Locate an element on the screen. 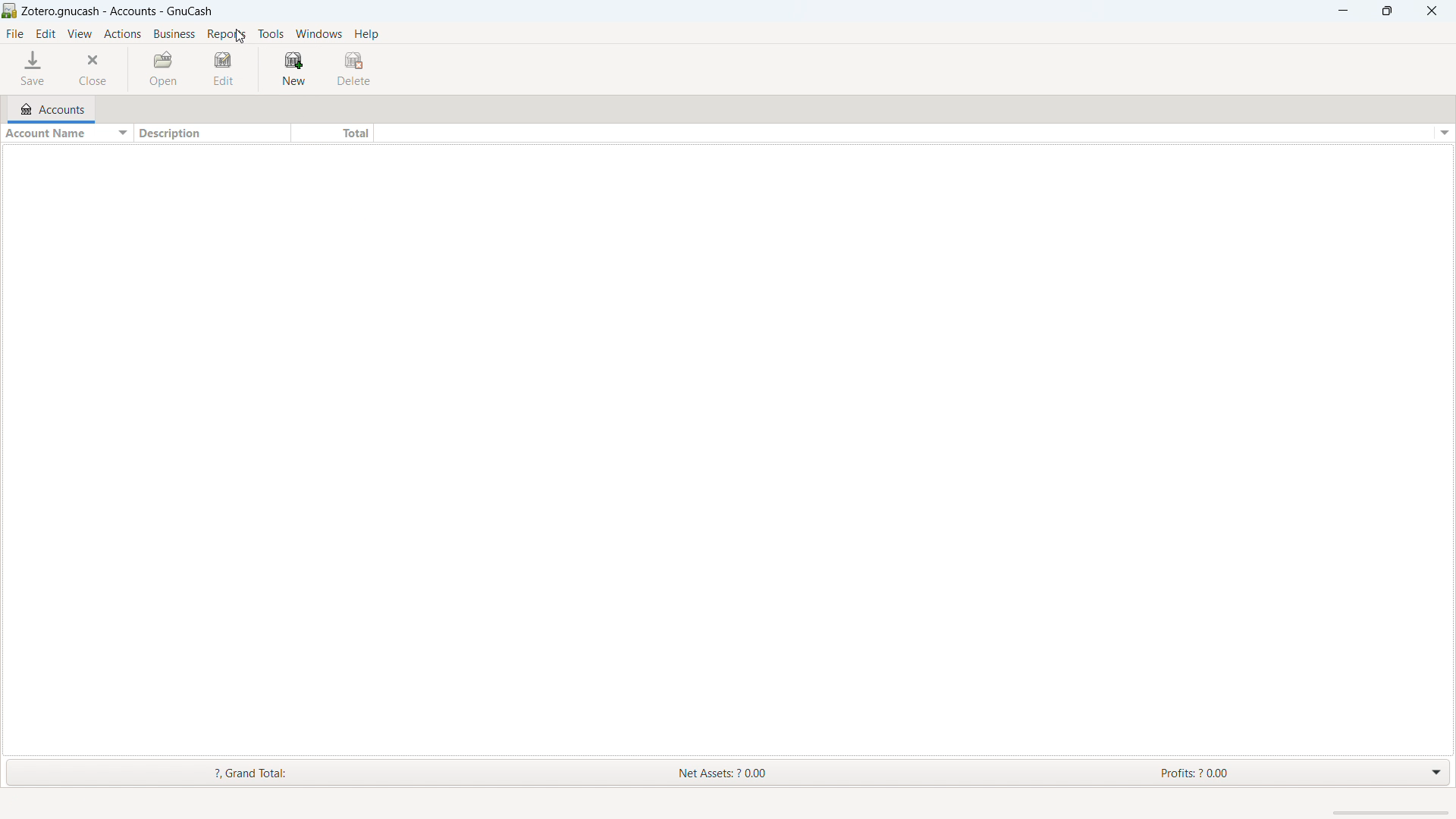 Image resolution: width=1456 pixels, height=819 pixels. view is located at coordinates (80, 33).